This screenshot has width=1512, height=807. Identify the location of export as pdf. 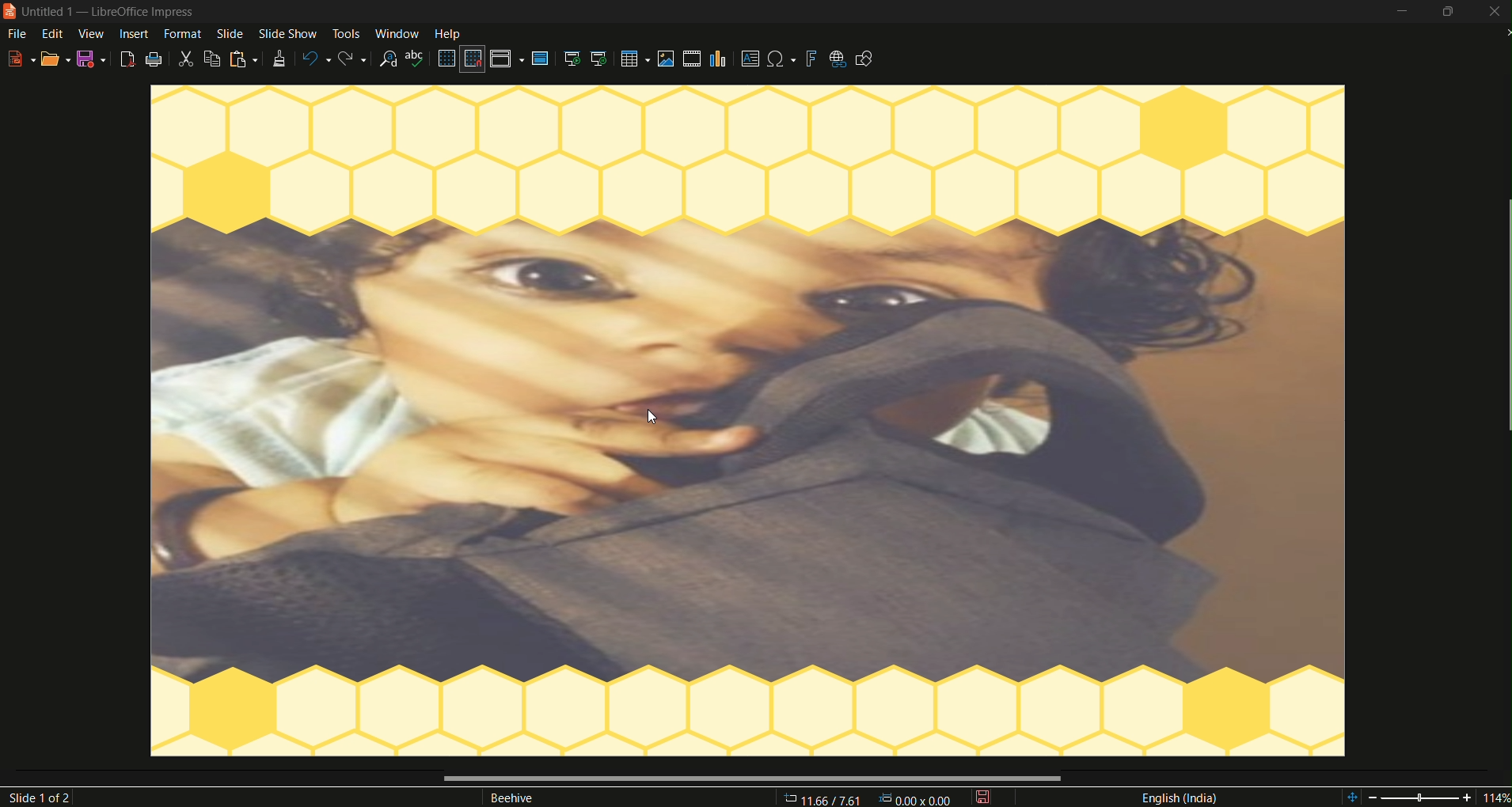
(127, 59).